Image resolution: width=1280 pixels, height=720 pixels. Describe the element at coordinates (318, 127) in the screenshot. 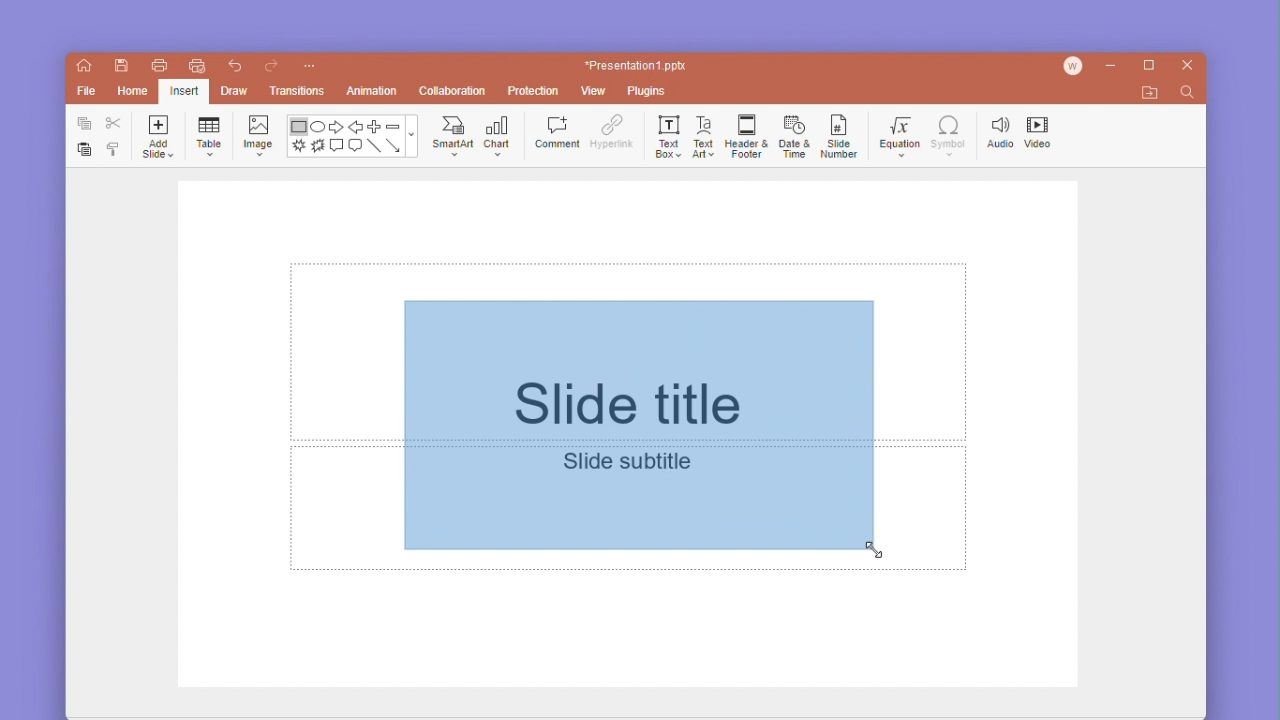

I see `ellipse` at that location.